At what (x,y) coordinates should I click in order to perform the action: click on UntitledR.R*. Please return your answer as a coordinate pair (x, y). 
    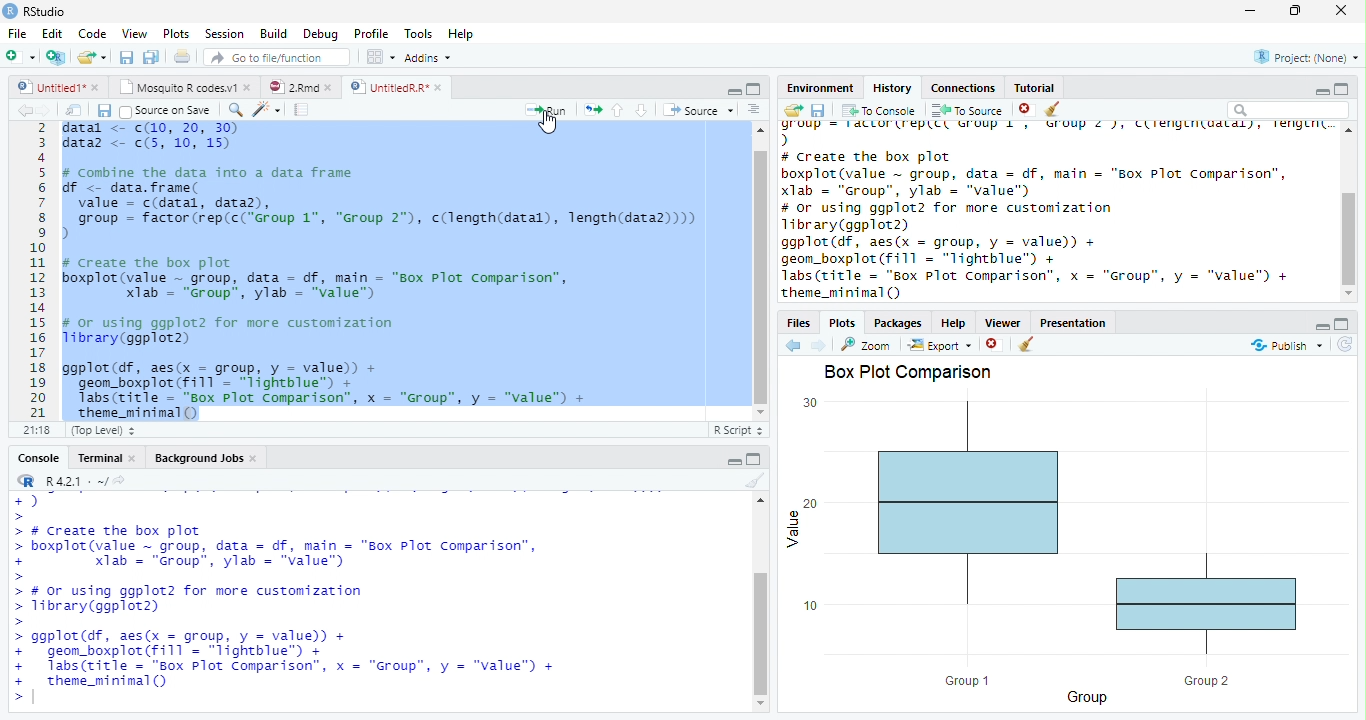
    Looking at the image, I should click on (388, 88).